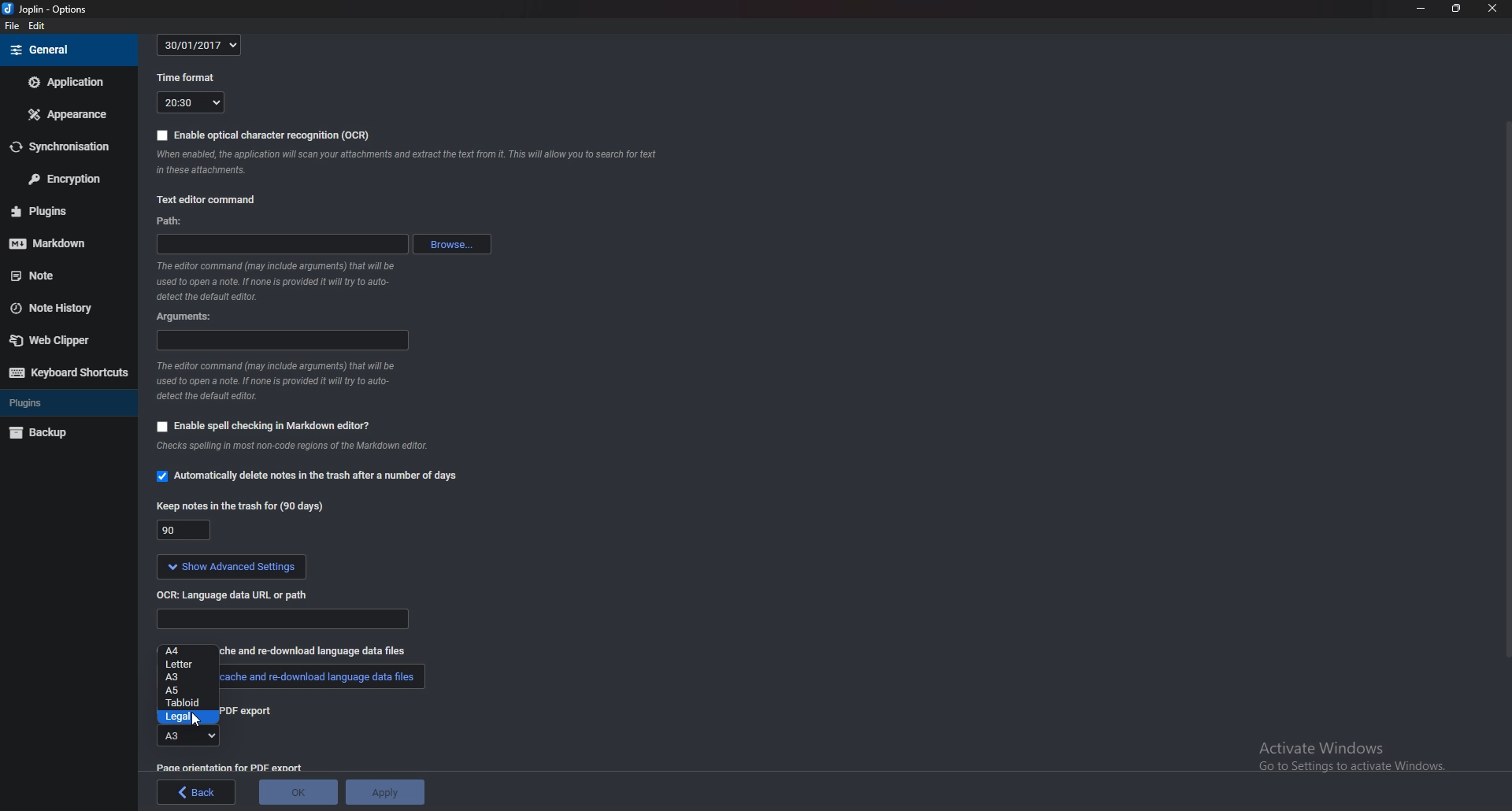 The image size is (1512, 811). What do you see at coordinates (258, 711) in the screenshot?
I see `pdf export` at bounding box center [258, 711].